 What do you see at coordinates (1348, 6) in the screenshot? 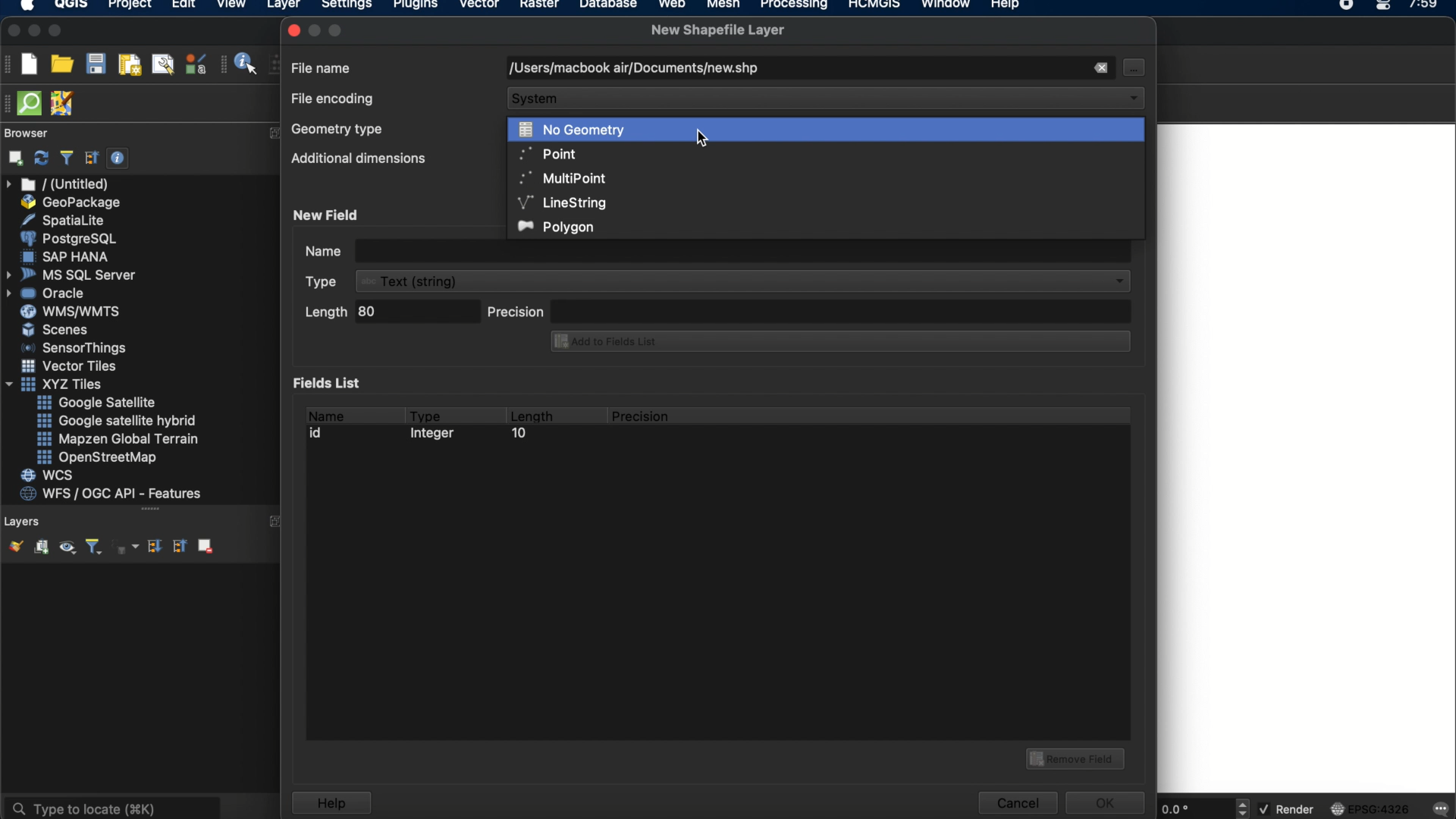
I see `recorder icon` at bounding box center [1348, 6].